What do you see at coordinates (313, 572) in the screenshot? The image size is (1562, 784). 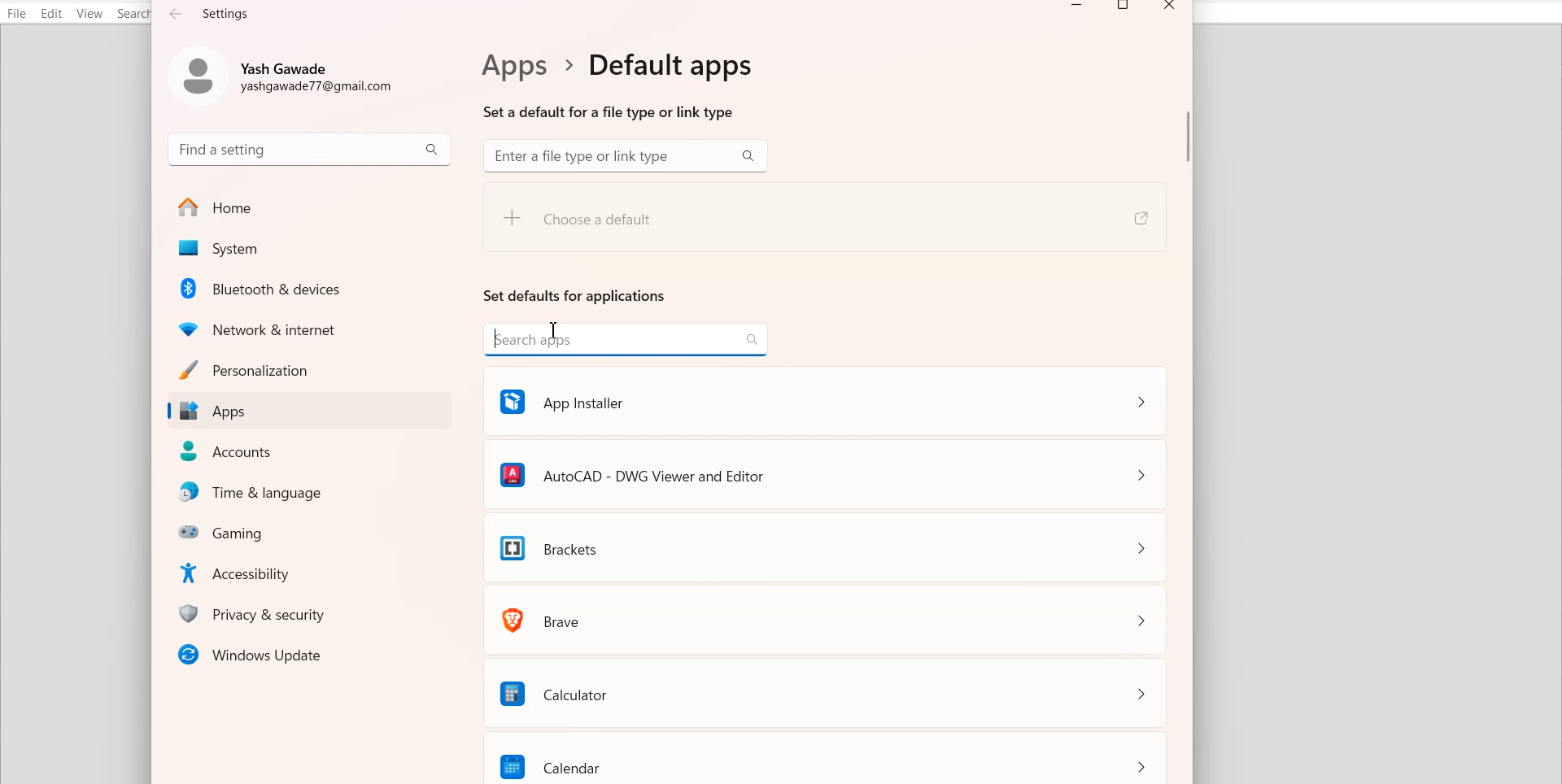 I see `Accessibility` at bounding box center [313, 572].